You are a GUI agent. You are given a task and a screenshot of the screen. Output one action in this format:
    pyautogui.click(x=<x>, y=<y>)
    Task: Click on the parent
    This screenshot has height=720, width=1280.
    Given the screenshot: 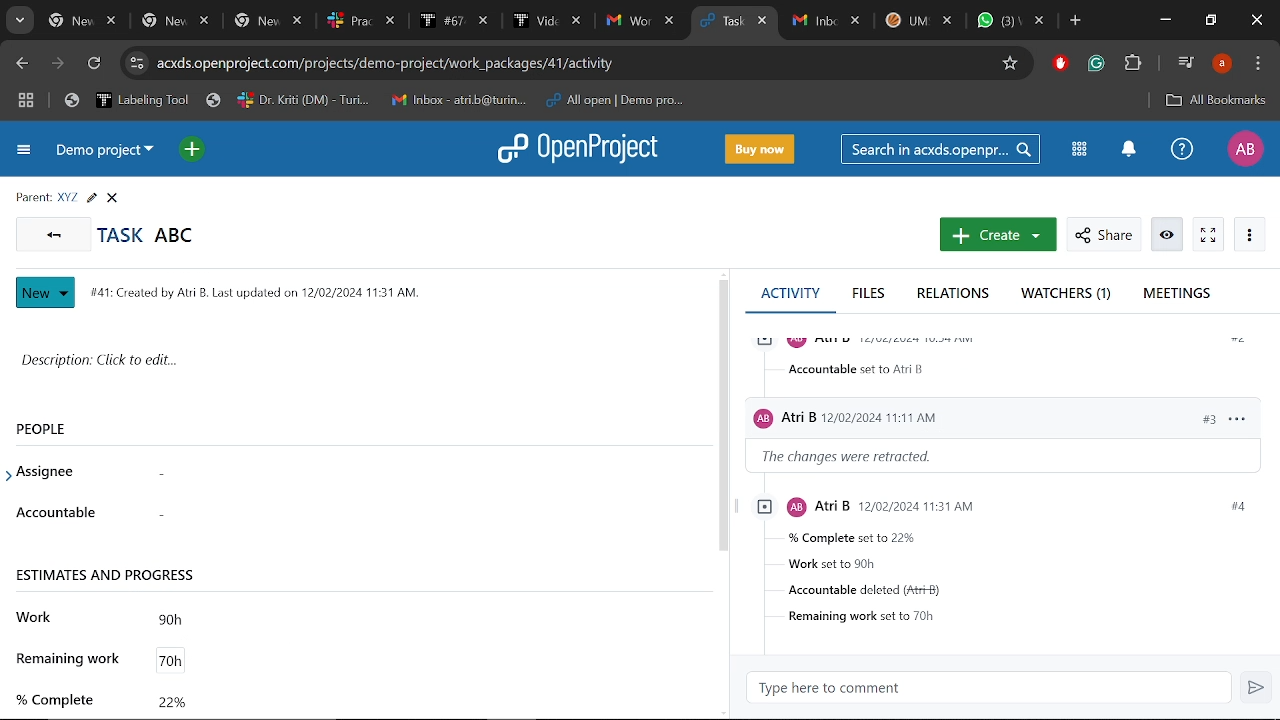 What is the action you would take?
    pyautogui.click(x=29, y=196)
    